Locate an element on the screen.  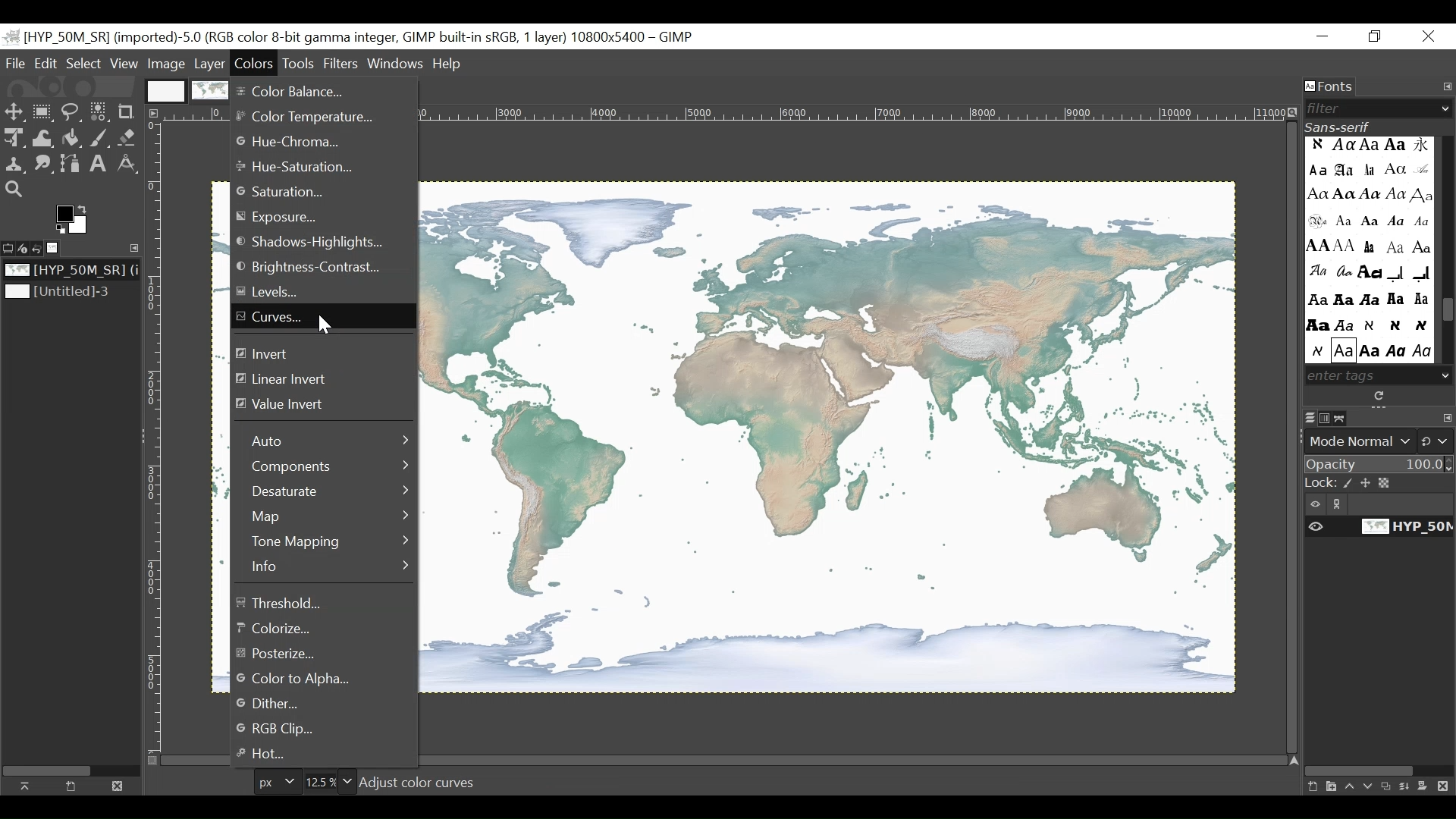
Color to Alpha is located at coordinates (302, 679).